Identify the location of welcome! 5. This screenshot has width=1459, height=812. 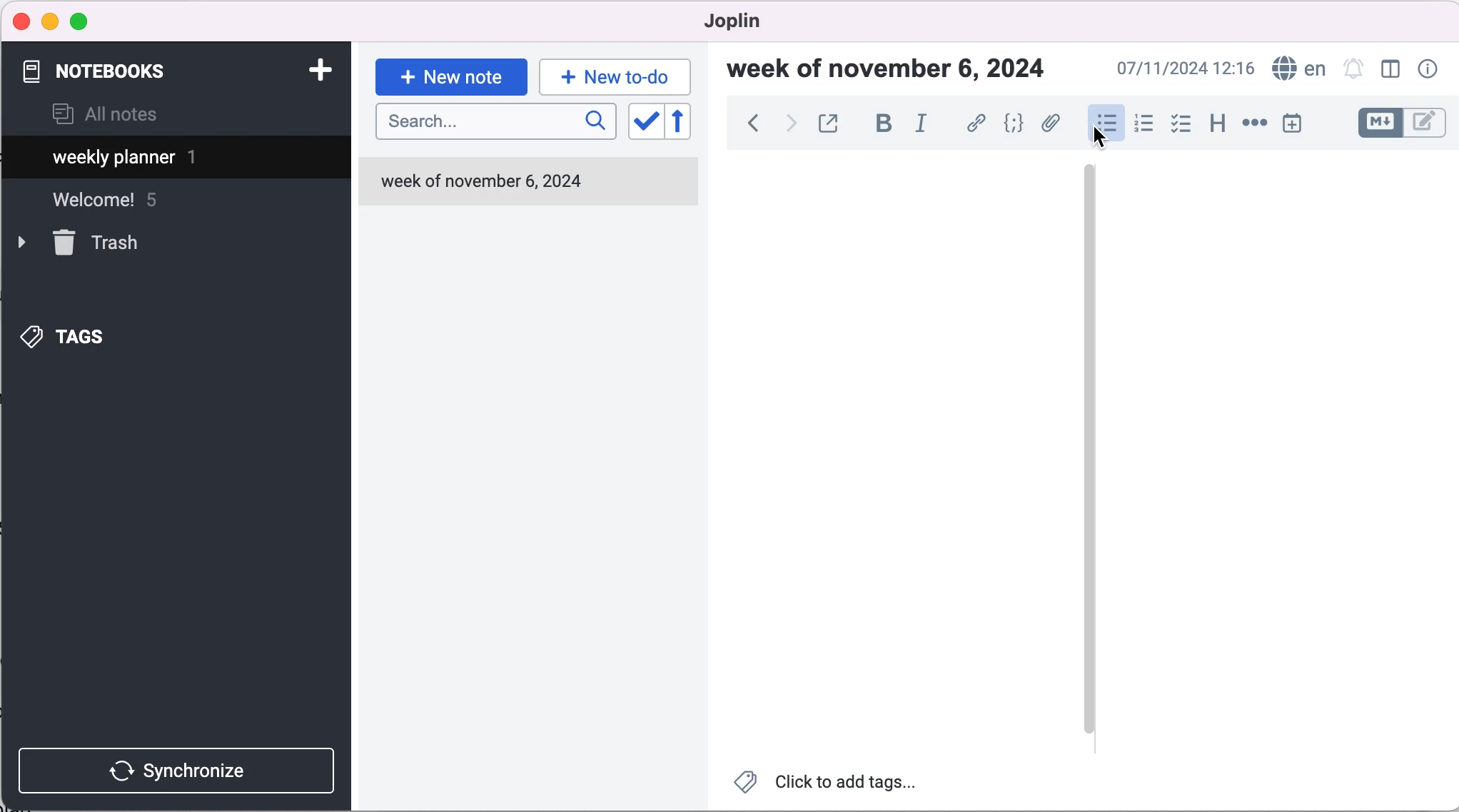
(123, 206).